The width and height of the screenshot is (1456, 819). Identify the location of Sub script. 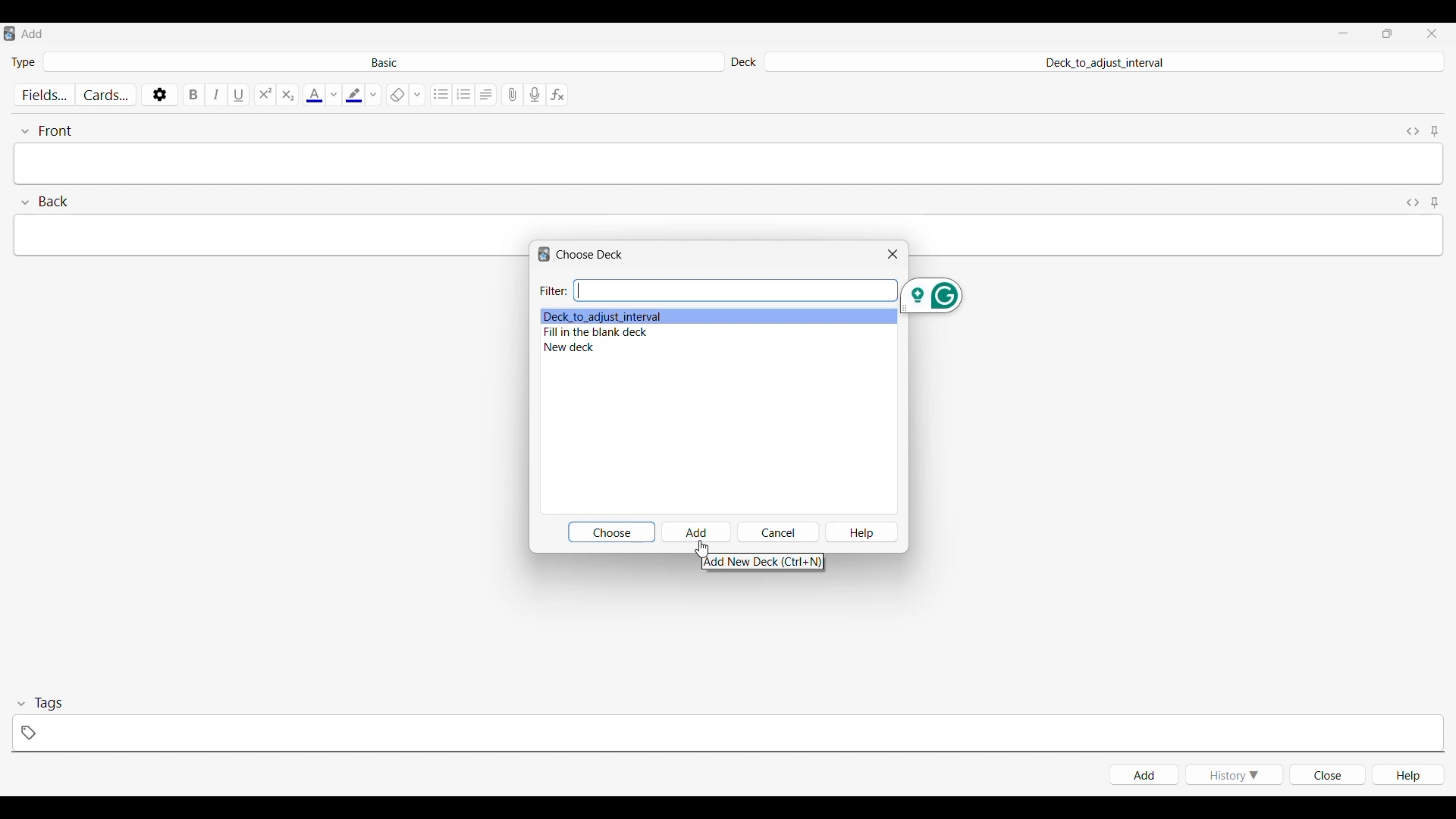
(287, 95).